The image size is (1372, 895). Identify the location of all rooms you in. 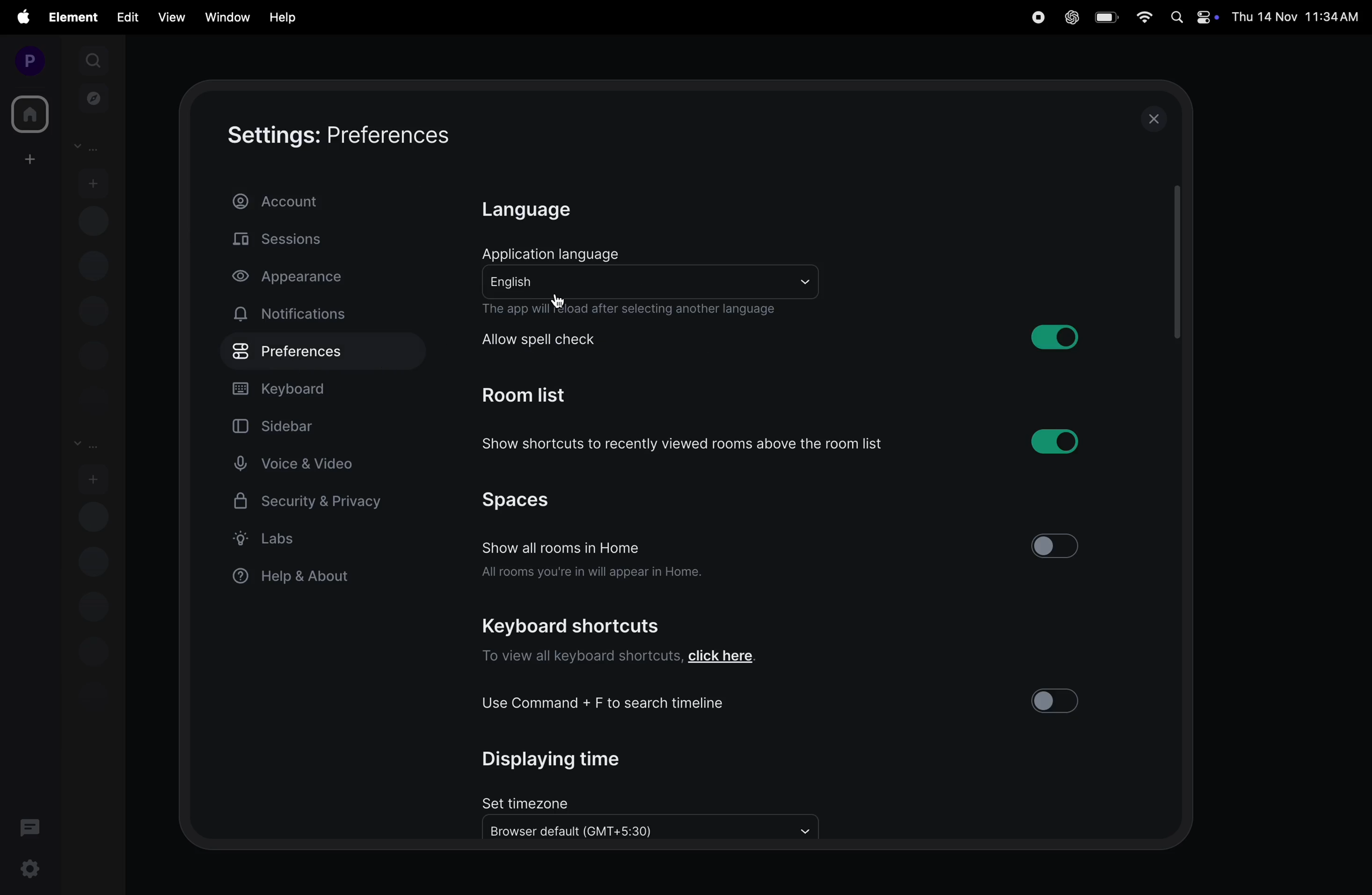
(593, 575).